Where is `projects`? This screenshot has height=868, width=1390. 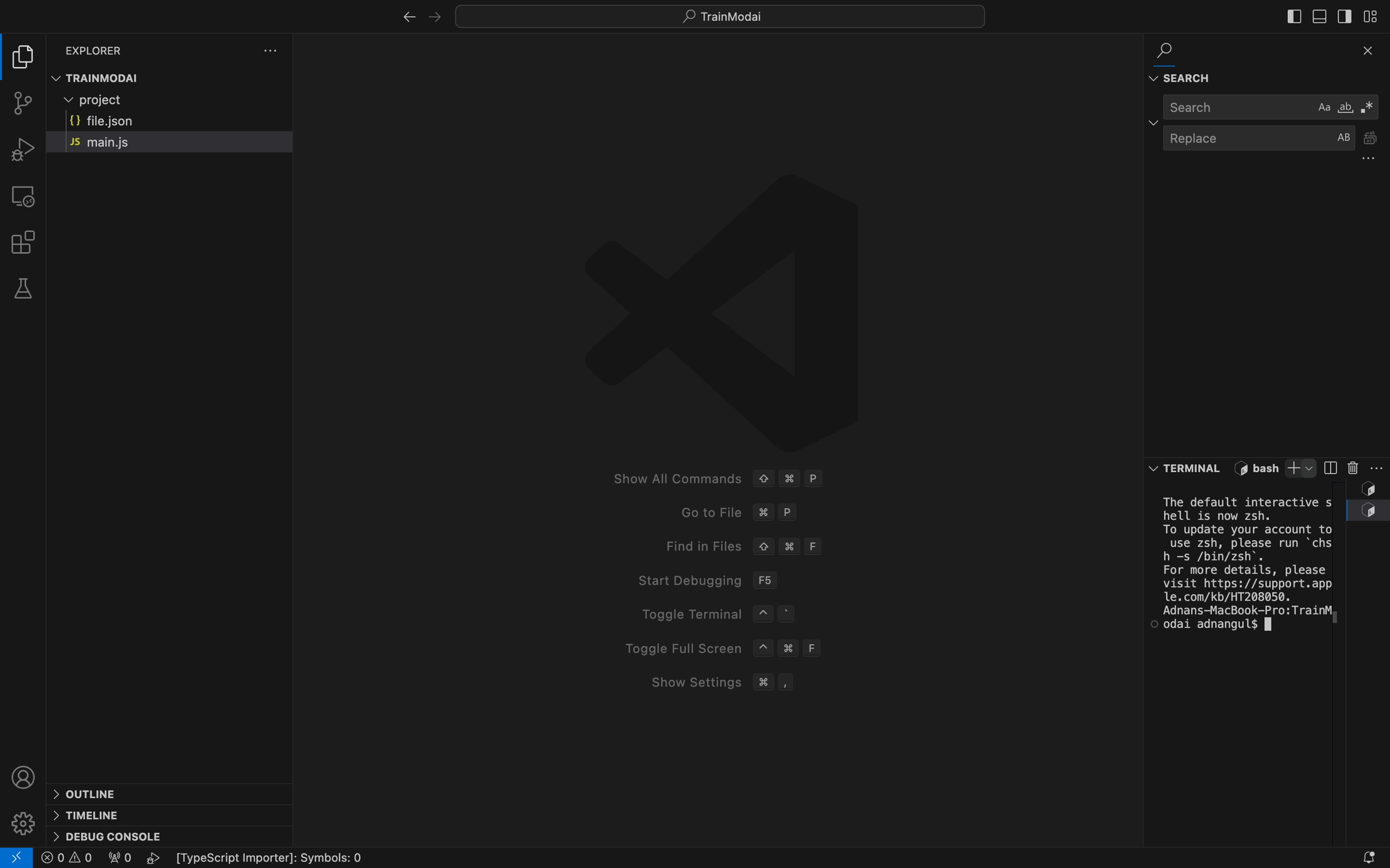
projects is located at coordinates (110, 100).